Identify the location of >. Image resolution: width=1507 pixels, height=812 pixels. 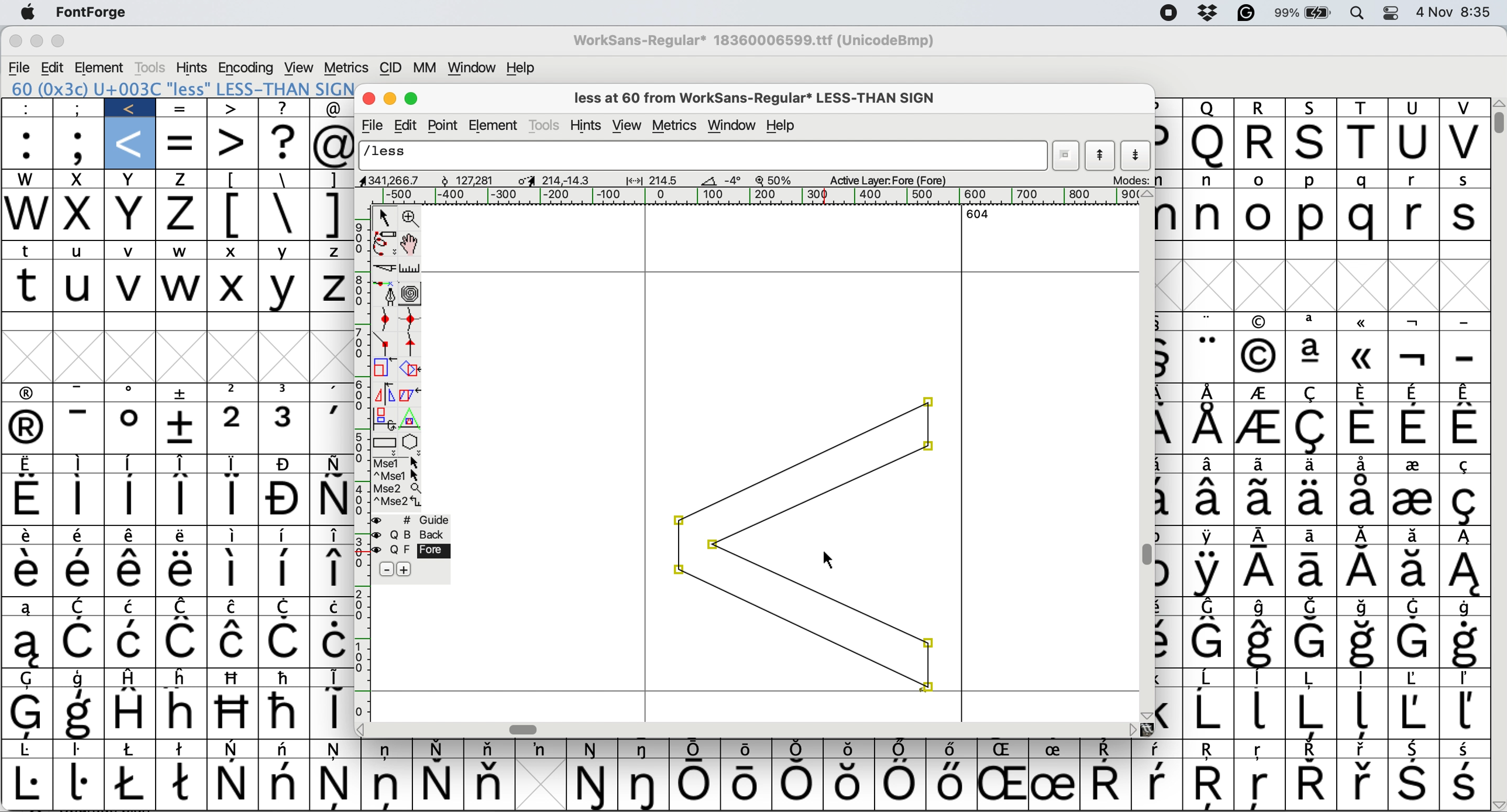
(232, 109).